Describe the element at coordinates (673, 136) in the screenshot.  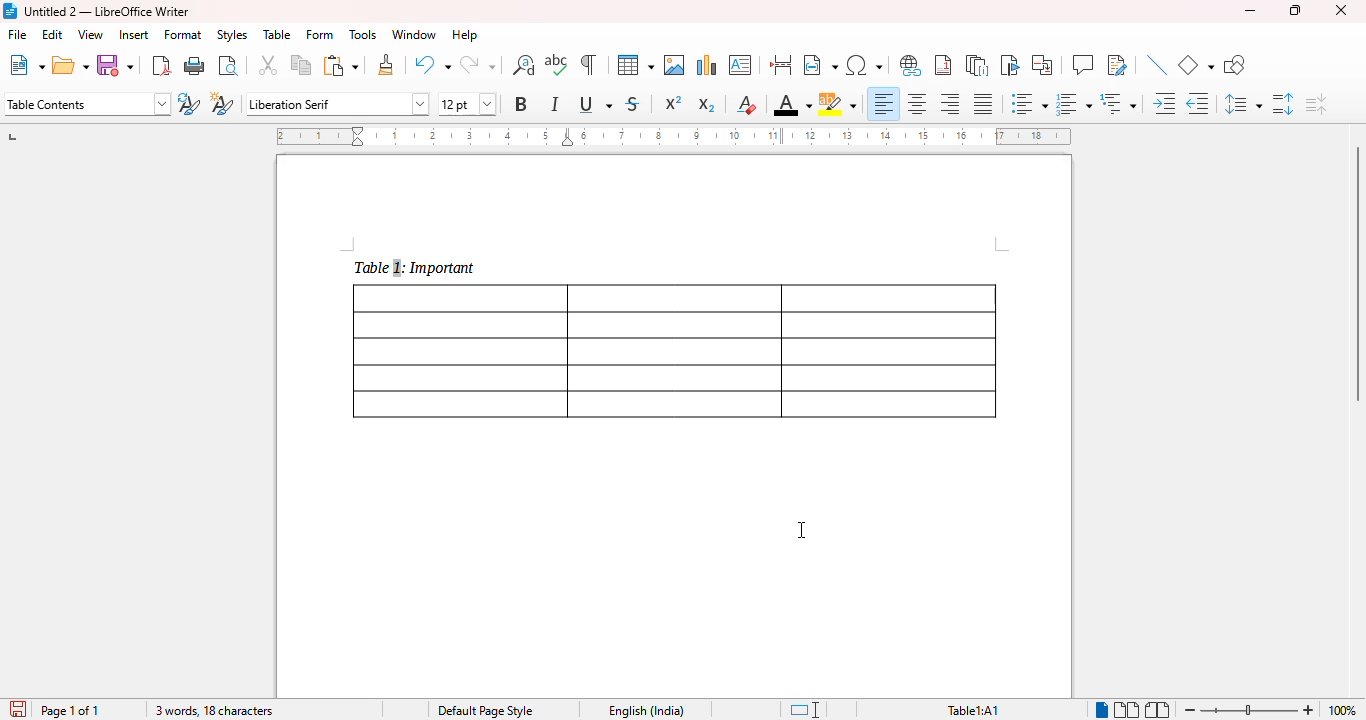
I see `ruler` at that location.